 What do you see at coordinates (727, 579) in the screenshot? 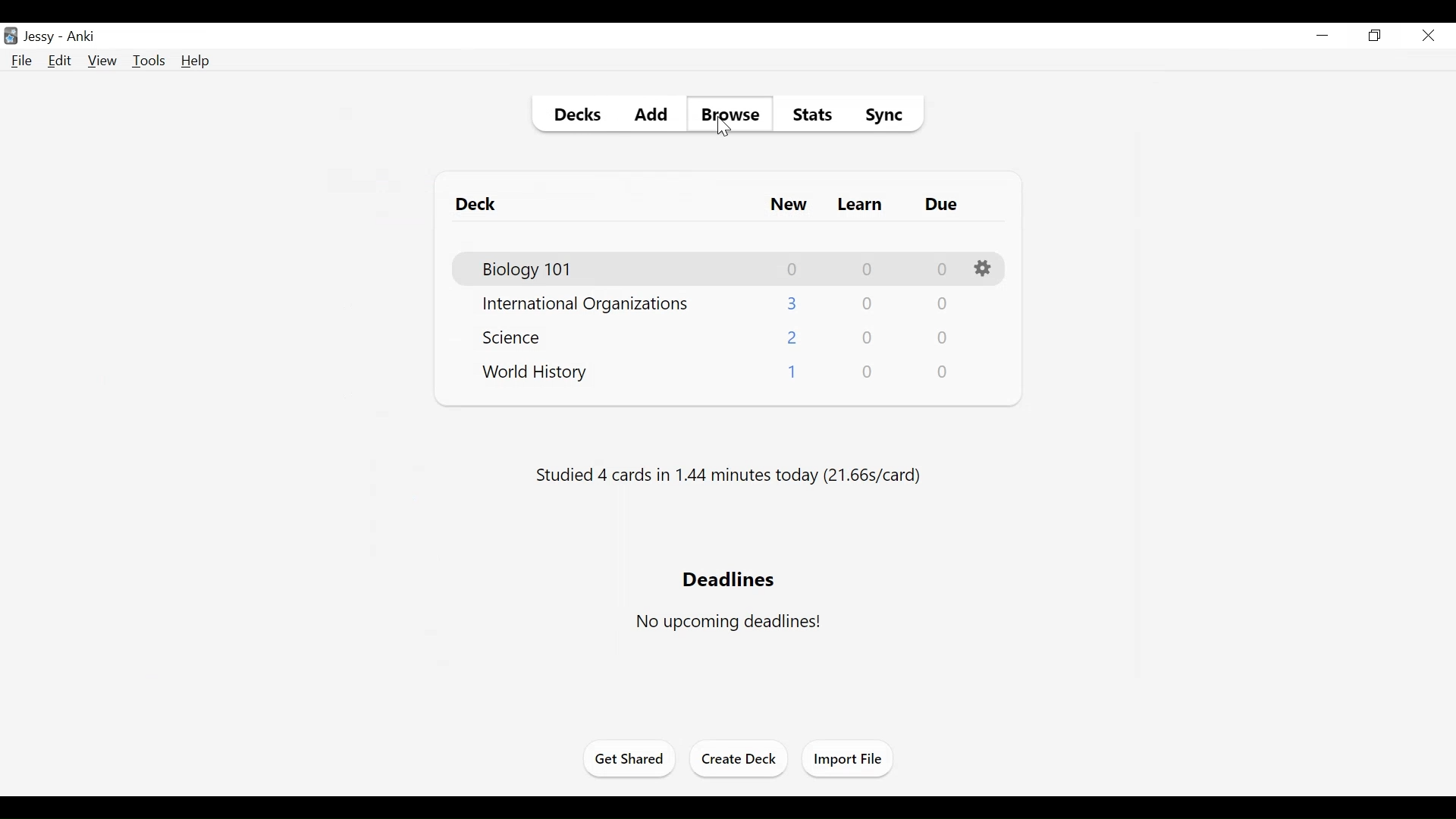
I see `Deadlines` at bounding box center [727, 579].